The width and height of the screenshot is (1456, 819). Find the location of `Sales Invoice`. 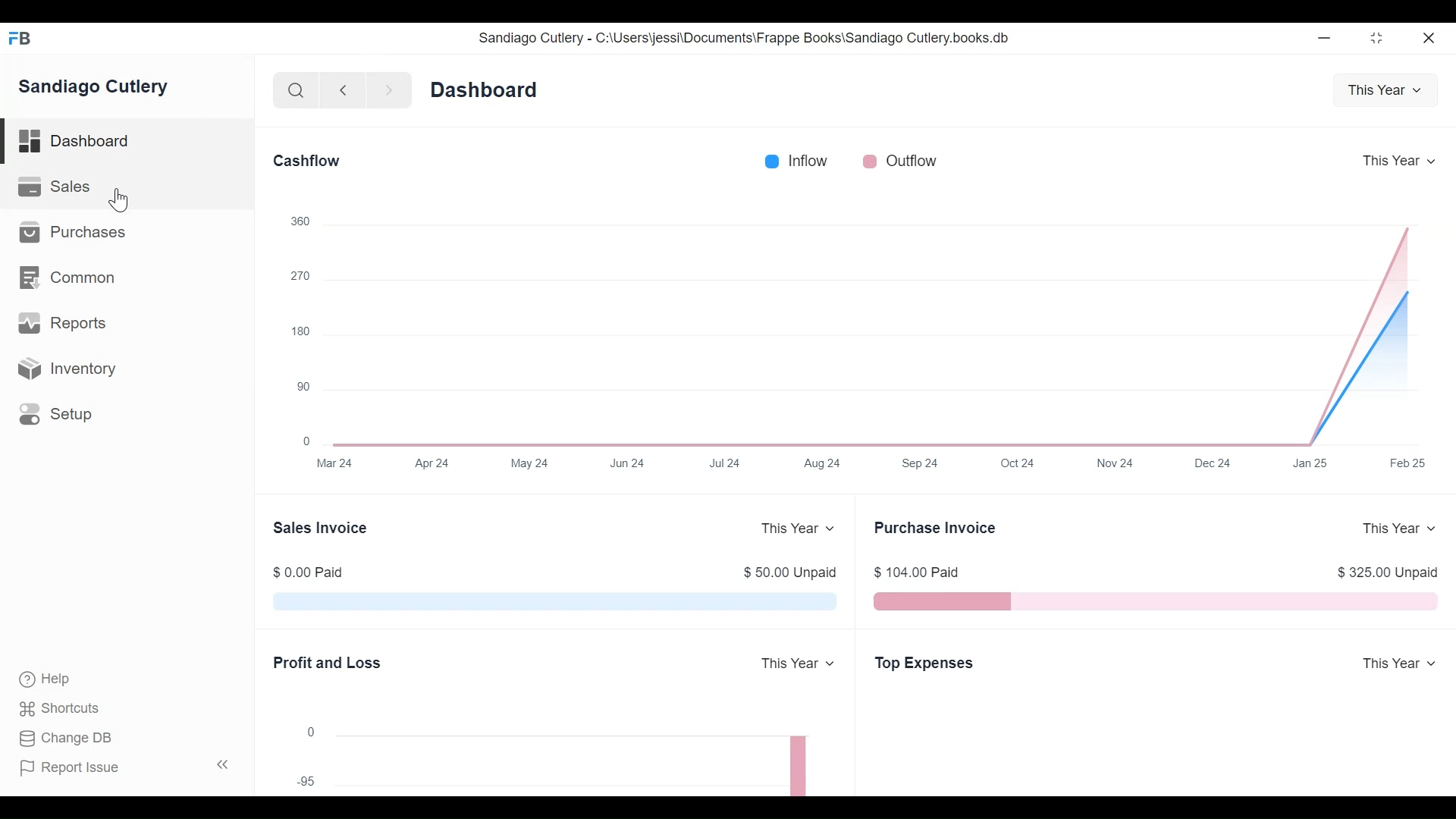

Sales Invoice is located at coordinates (322, 528).